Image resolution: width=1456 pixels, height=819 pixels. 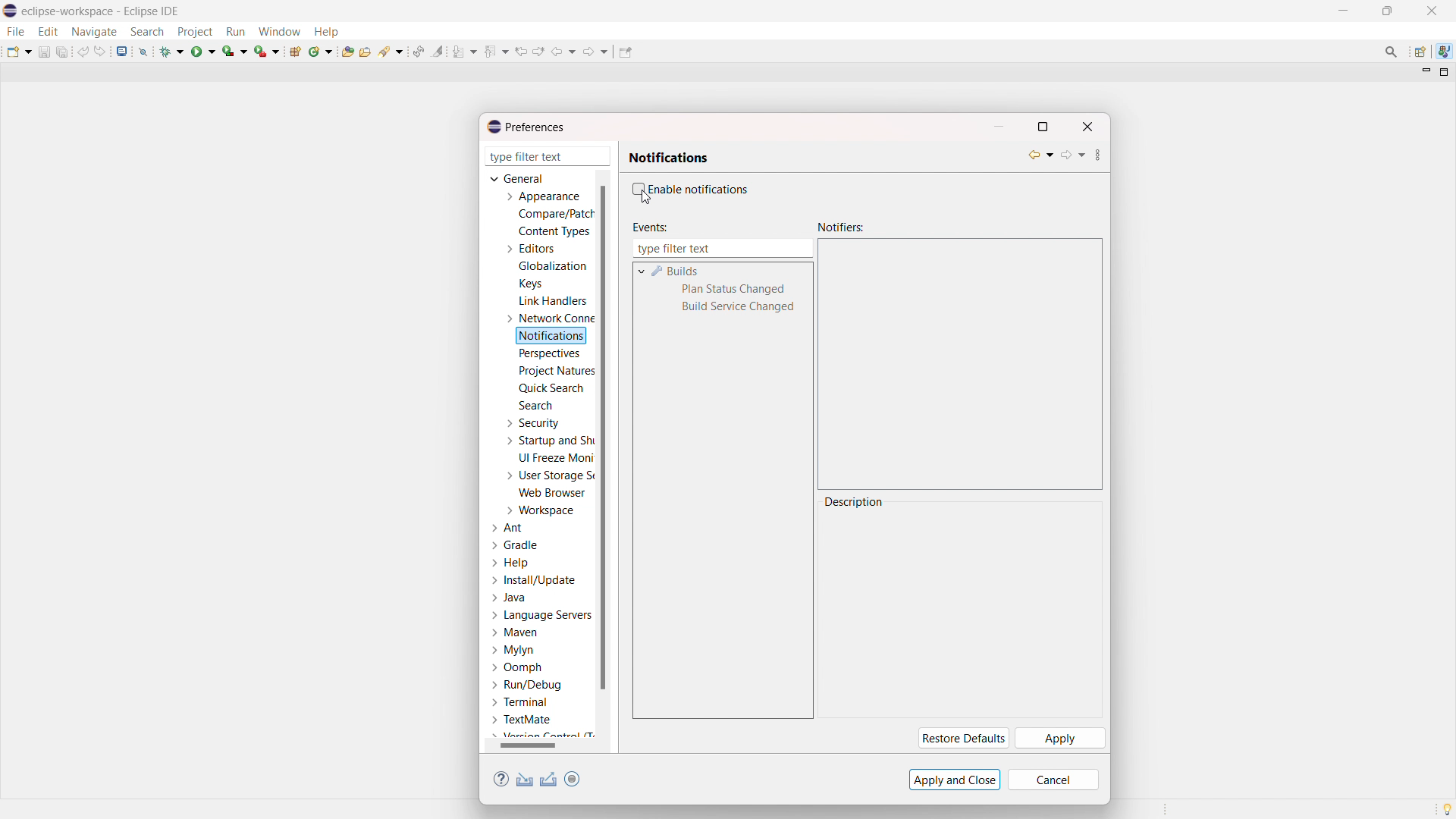 What do you see at coordinates (102, 11) in the screenshot?
I see `title` at bounding box center [102, 11].